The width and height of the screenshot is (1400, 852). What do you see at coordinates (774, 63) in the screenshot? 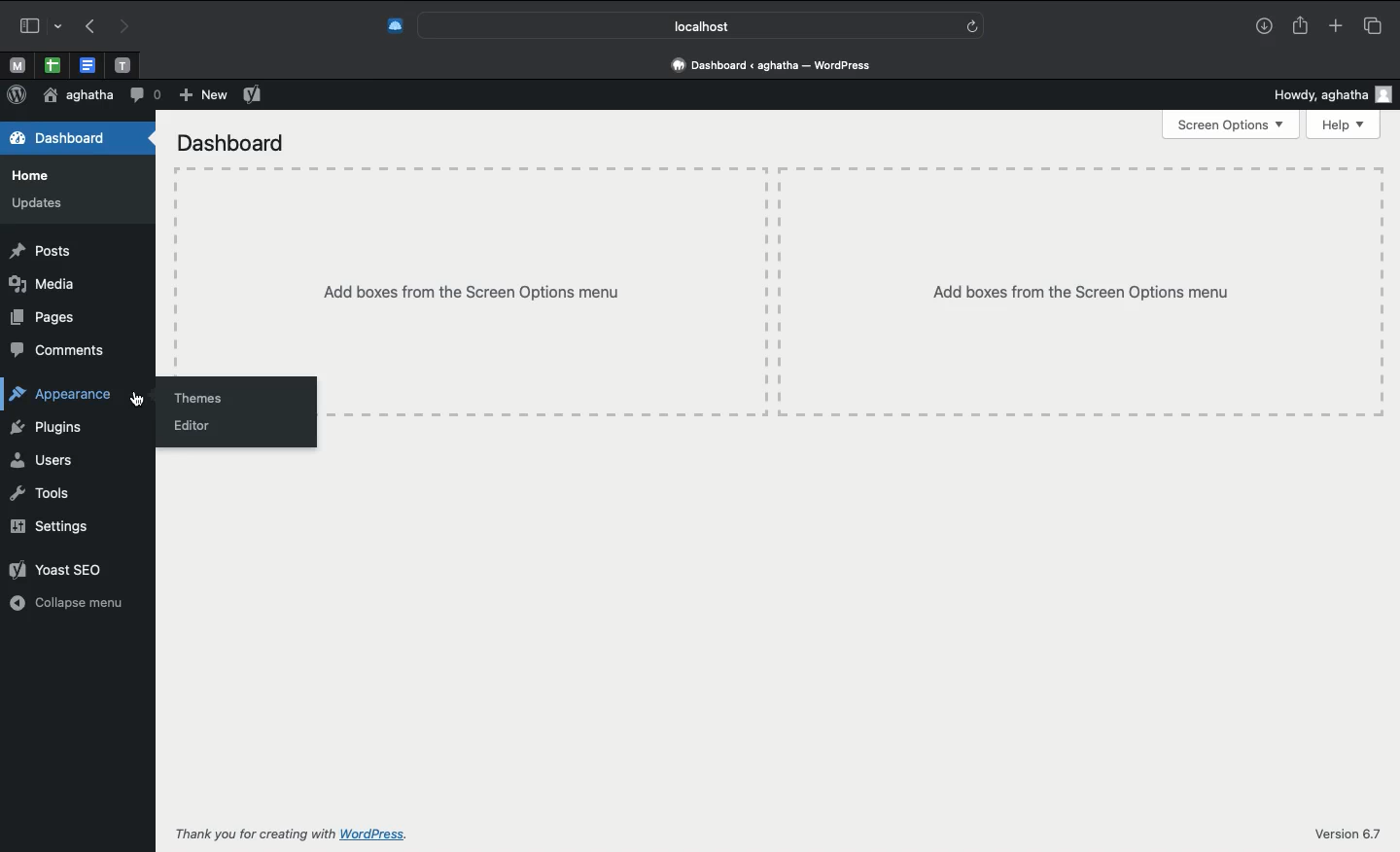
I see `Address` at bounding box center [774, 63].